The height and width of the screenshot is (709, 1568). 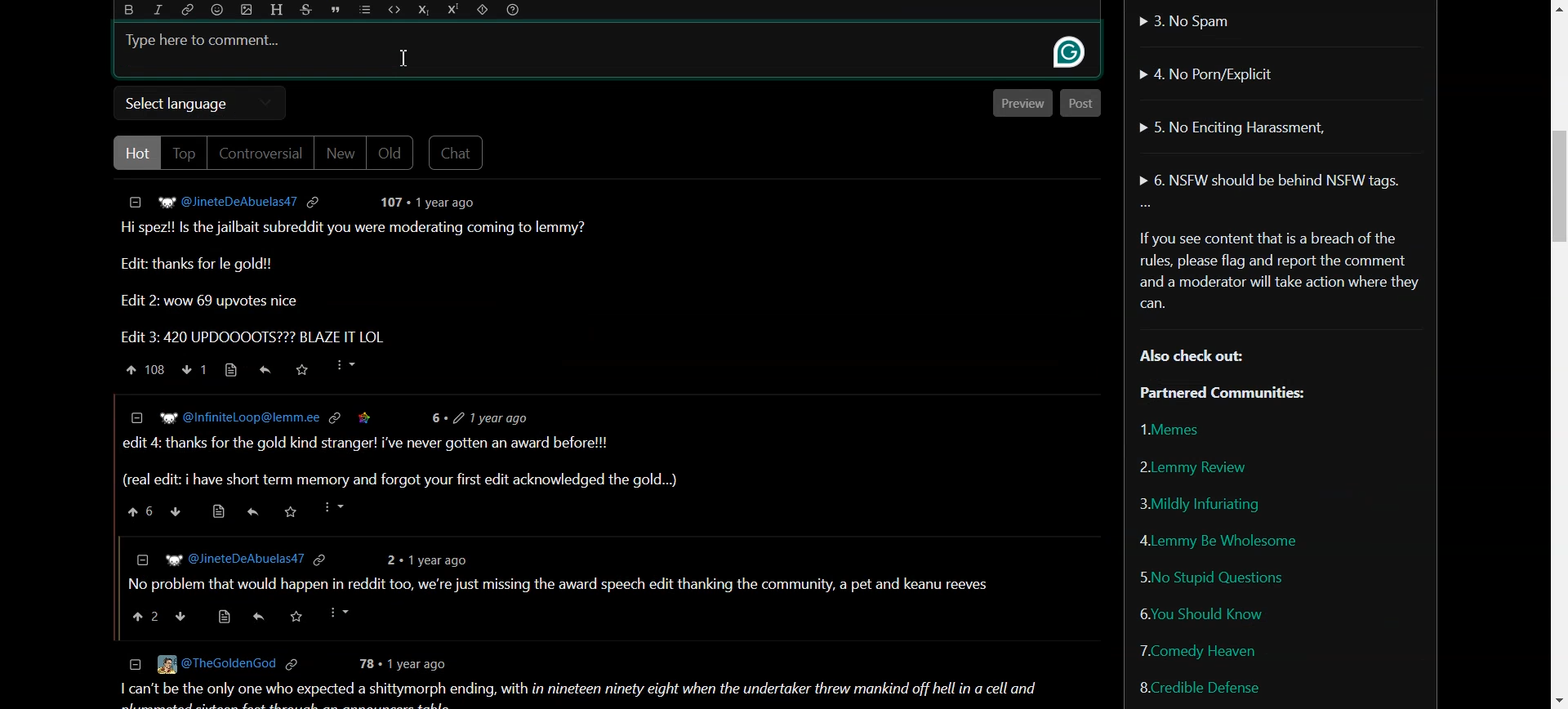 I want to click on Preview, so click(x=1022, y=103).